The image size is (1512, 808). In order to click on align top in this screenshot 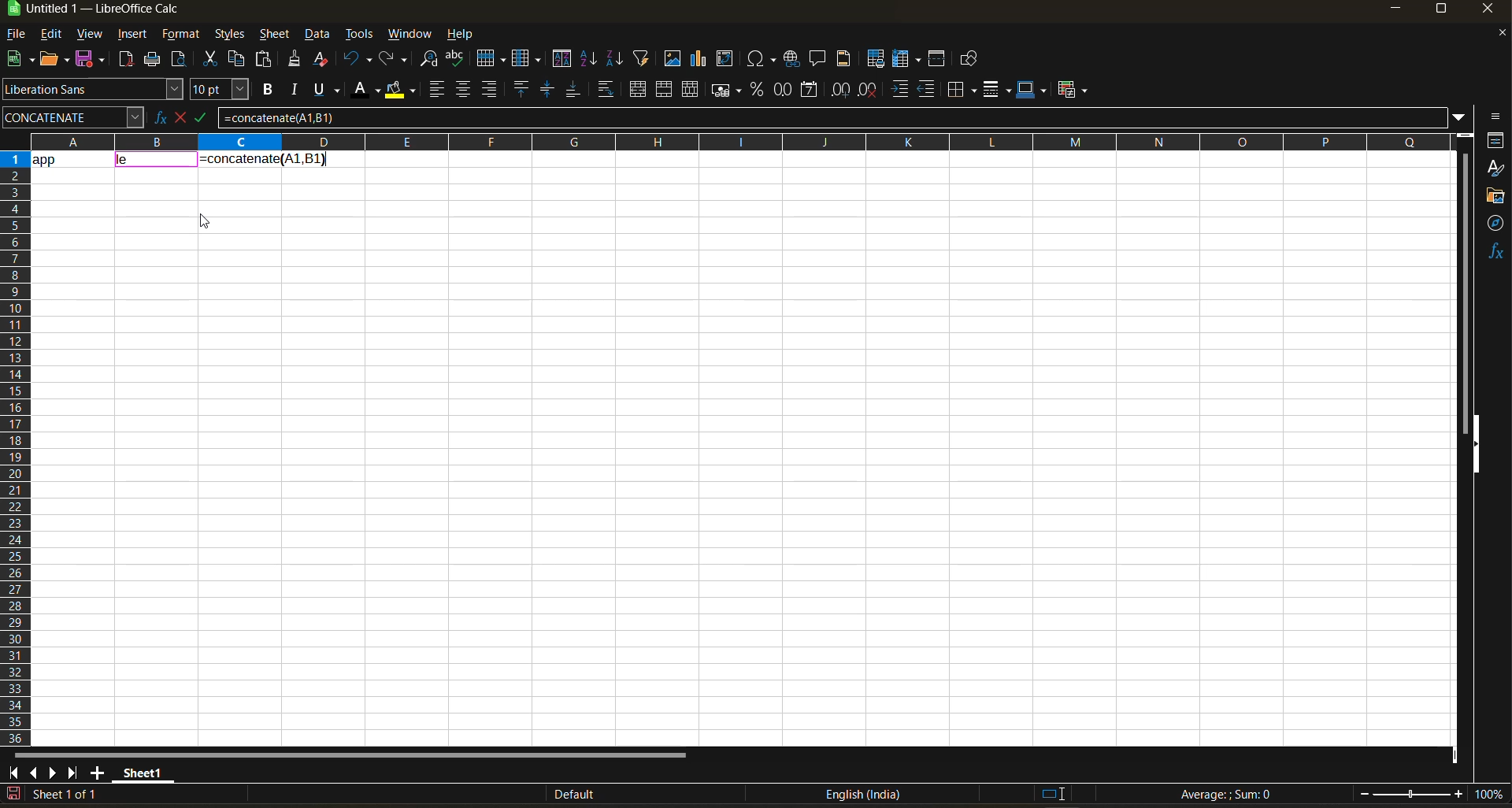, I will do `click(519, 89)`.